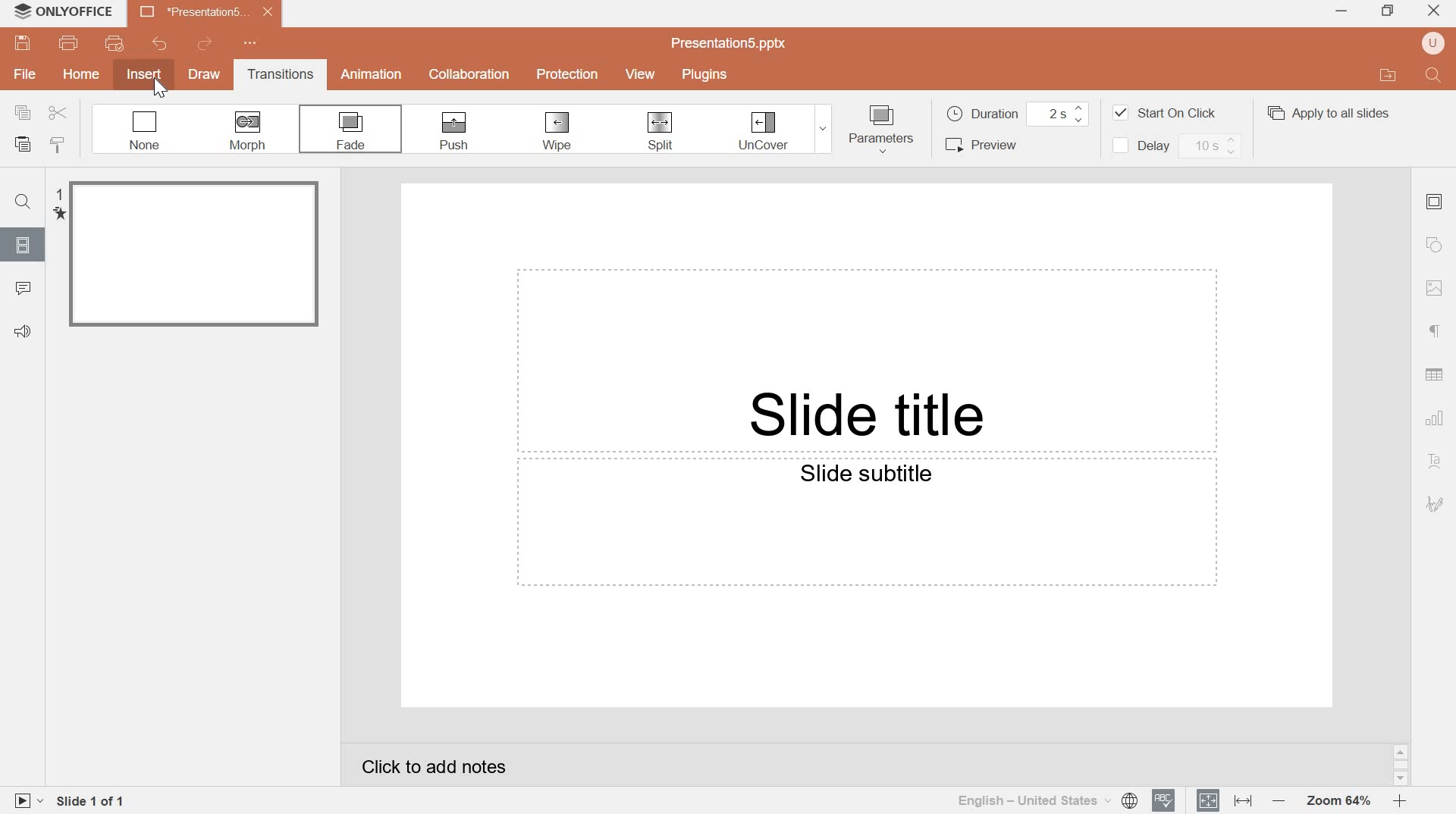 The image size is (1456, 814). Describe the element at coordinates (1434, 9) in the screenshot. I see `close` at that location.